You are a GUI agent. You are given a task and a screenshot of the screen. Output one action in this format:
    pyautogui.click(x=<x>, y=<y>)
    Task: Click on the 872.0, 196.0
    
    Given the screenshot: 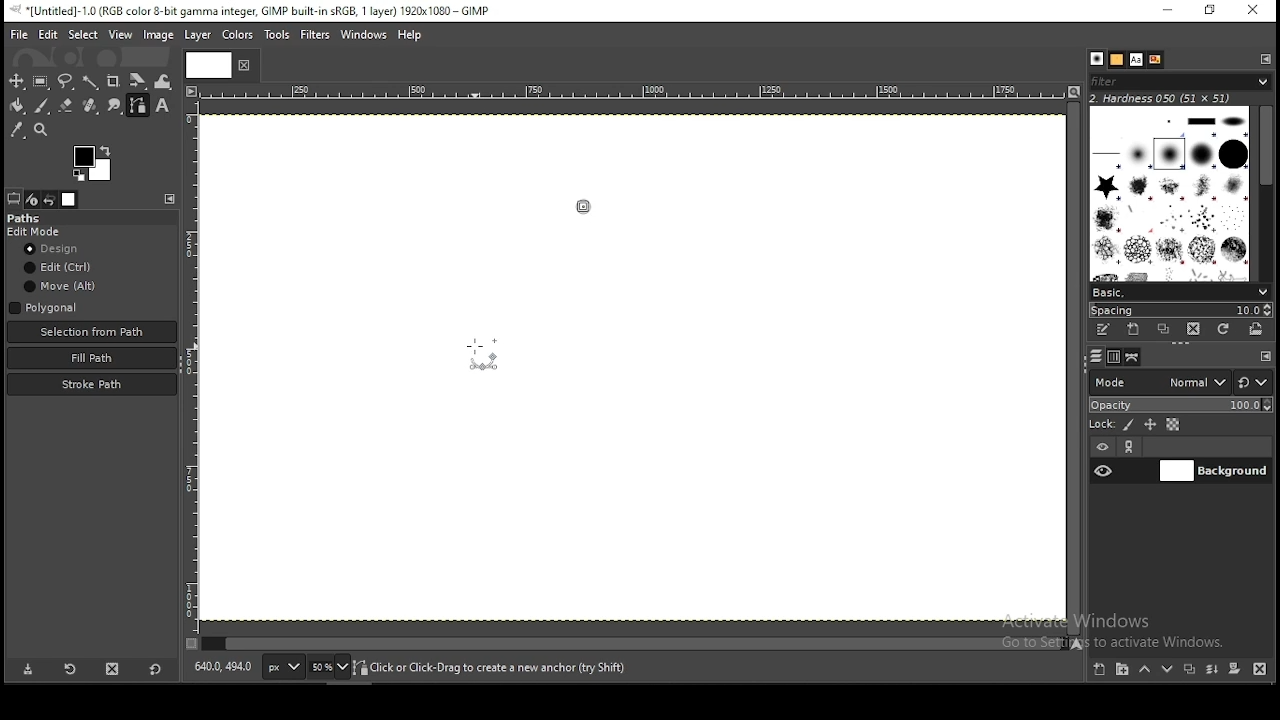 What is the action you would take?
    pyautogui.click(x=225, y=669)
    